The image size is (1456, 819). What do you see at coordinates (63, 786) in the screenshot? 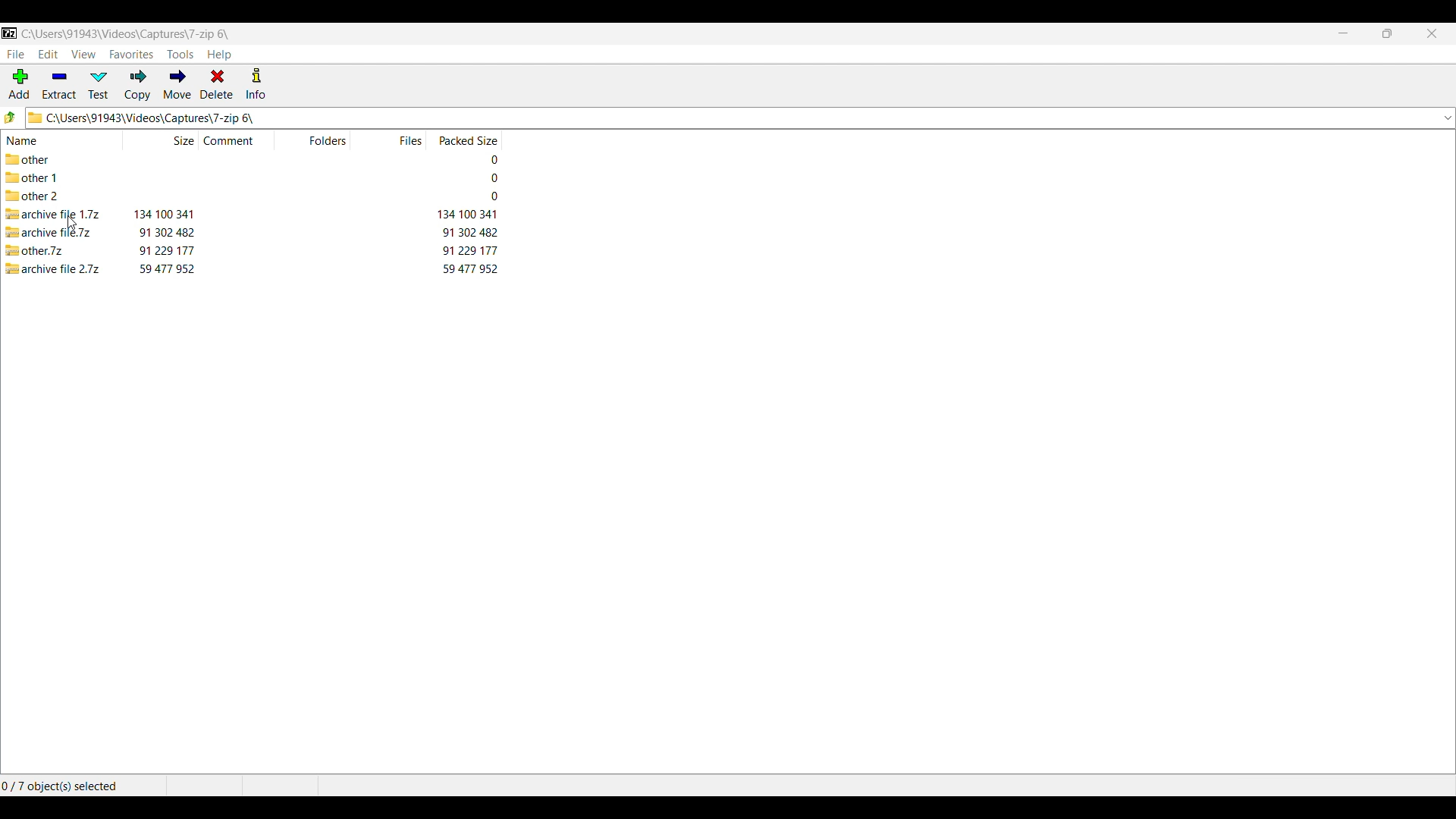
I see `0 / 7 object(s) selected` at bounding box center [63, 786].